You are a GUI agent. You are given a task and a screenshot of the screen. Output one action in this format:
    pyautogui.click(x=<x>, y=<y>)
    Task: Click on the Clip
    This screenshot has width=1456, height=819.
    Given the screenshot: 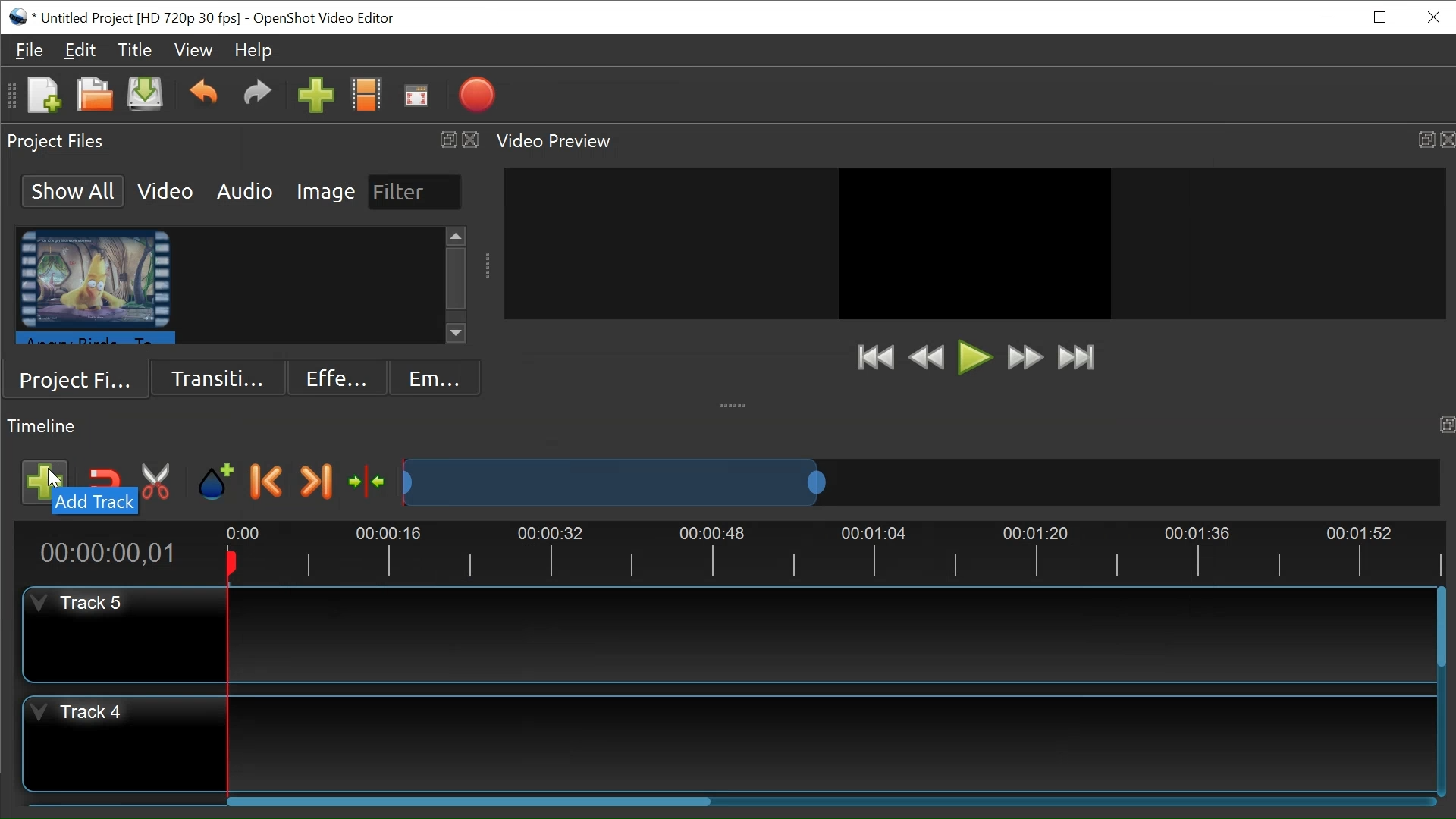 What is the action you would take?
    pyautogui.click(x=96, y=287)
    